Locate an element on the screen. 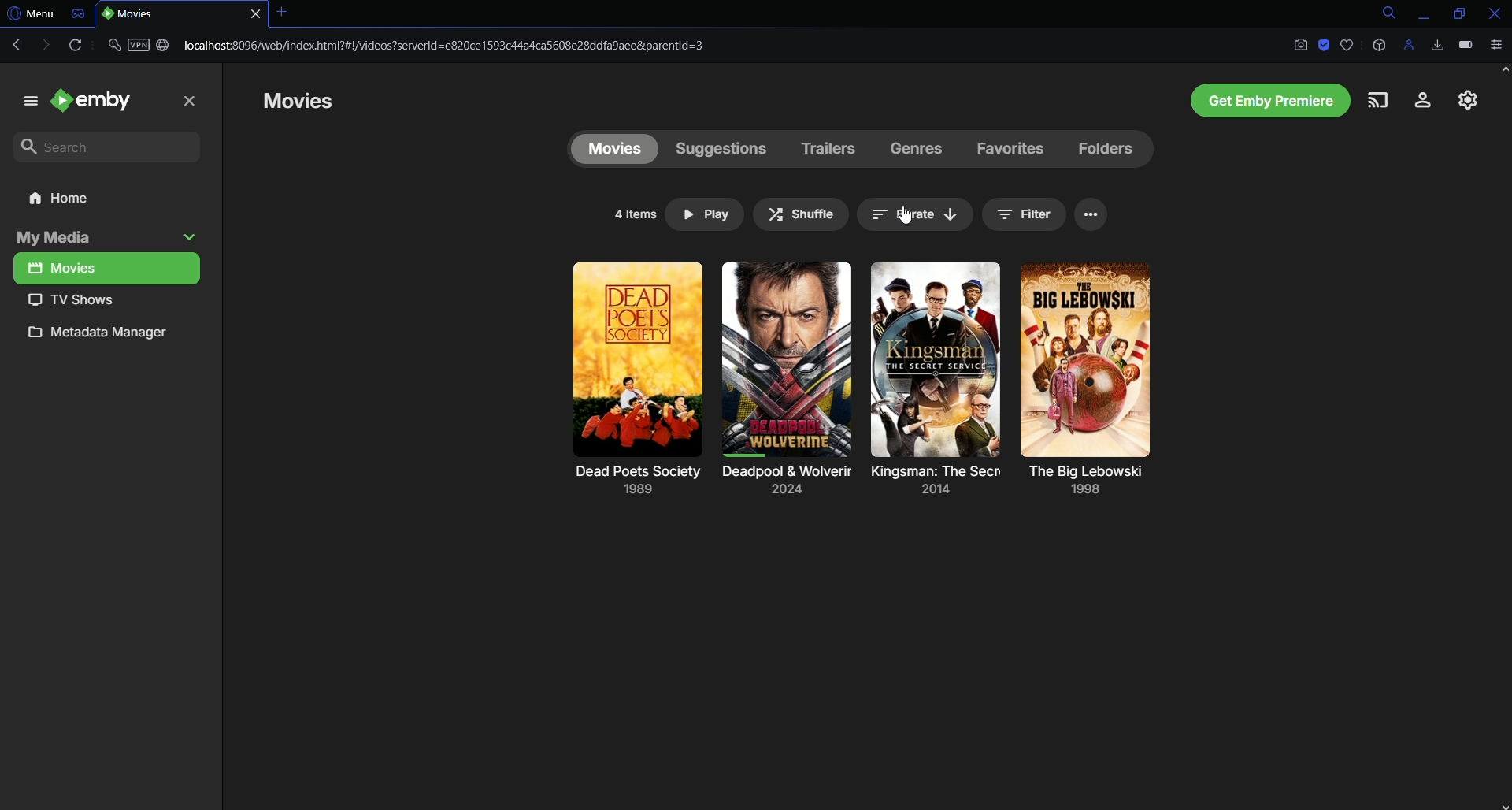 Image resolution: width=1512 pixels, height=810 pixels. Options is located at coordinates (1095, 214).